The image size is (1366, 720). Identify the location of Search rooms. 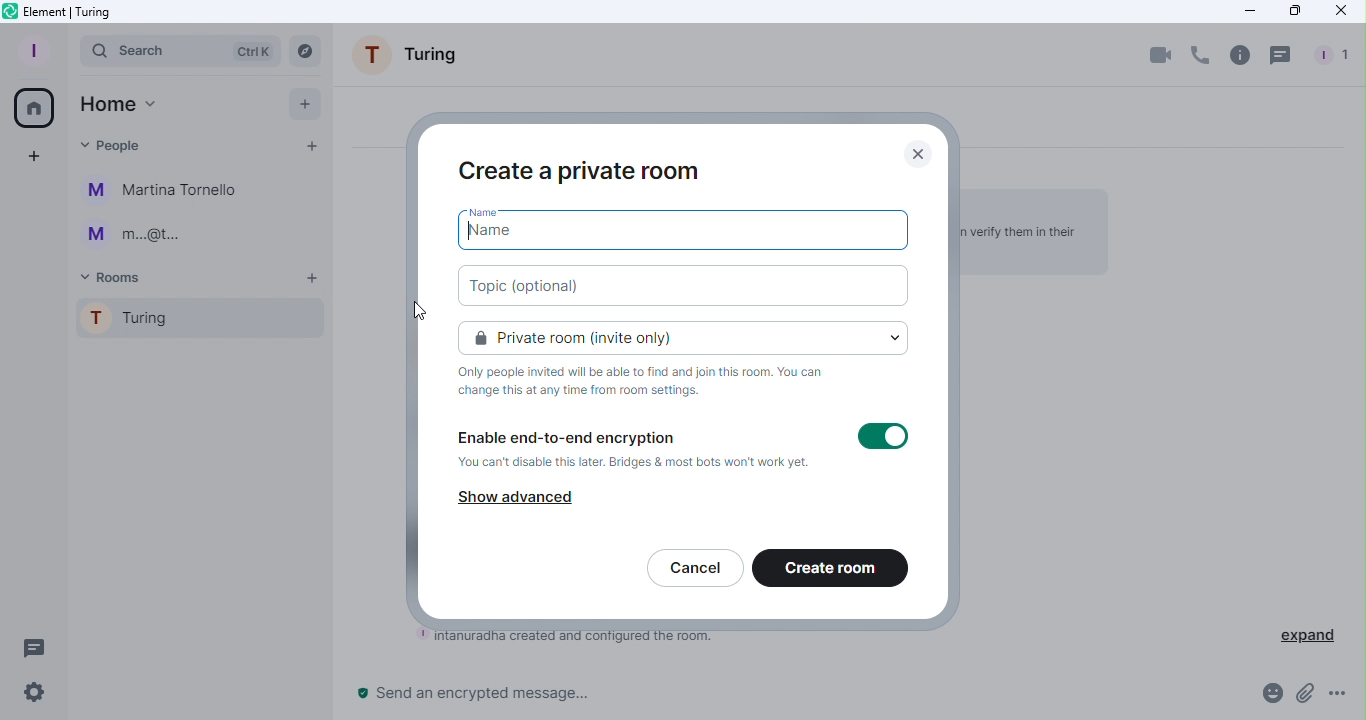
(308, 50).